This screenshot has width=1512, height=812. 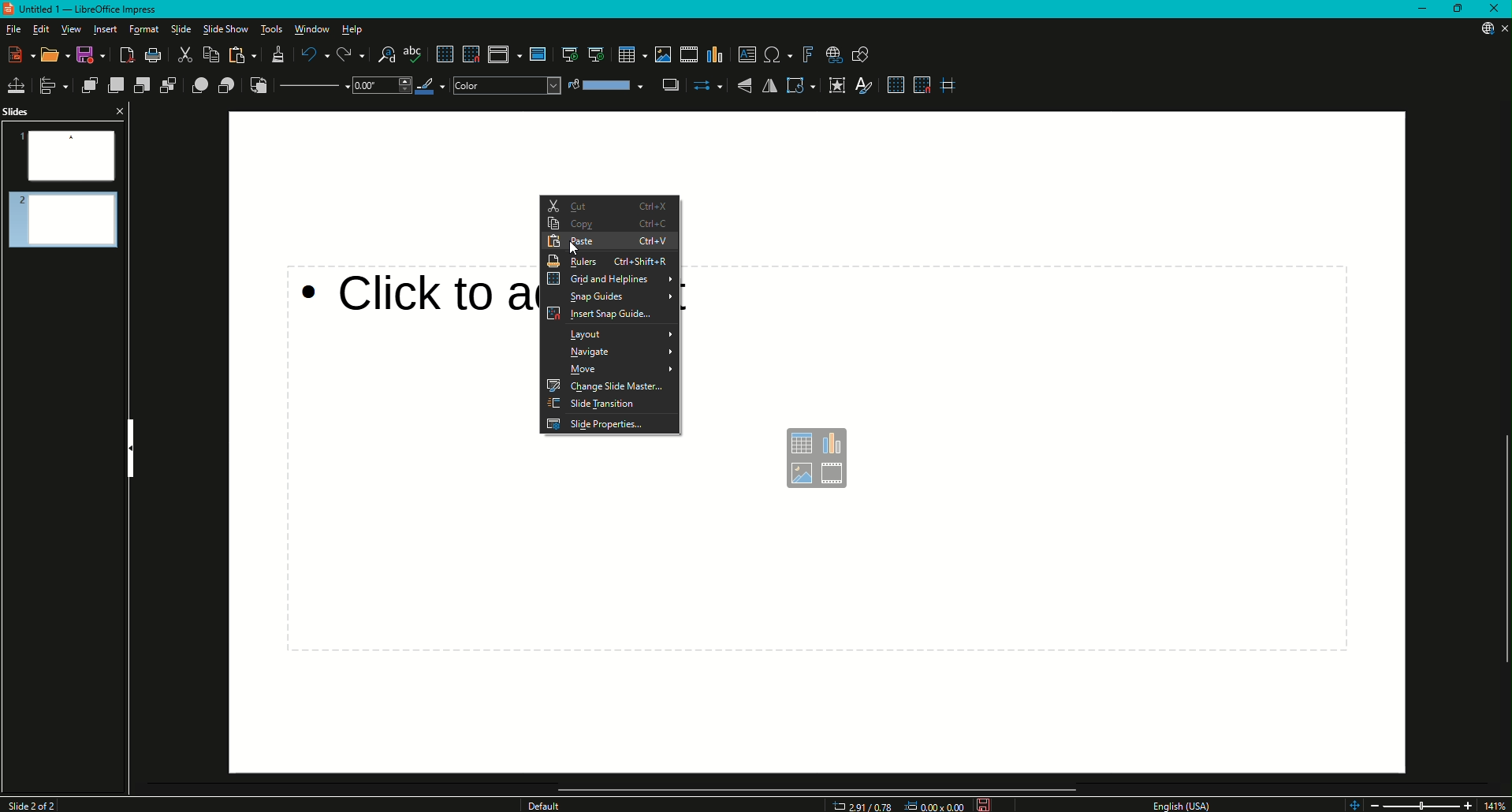 What do you see at coordinates (744, 55) in the screenshot?
I see `Insert Textbox` at bounding box center [744, 55].